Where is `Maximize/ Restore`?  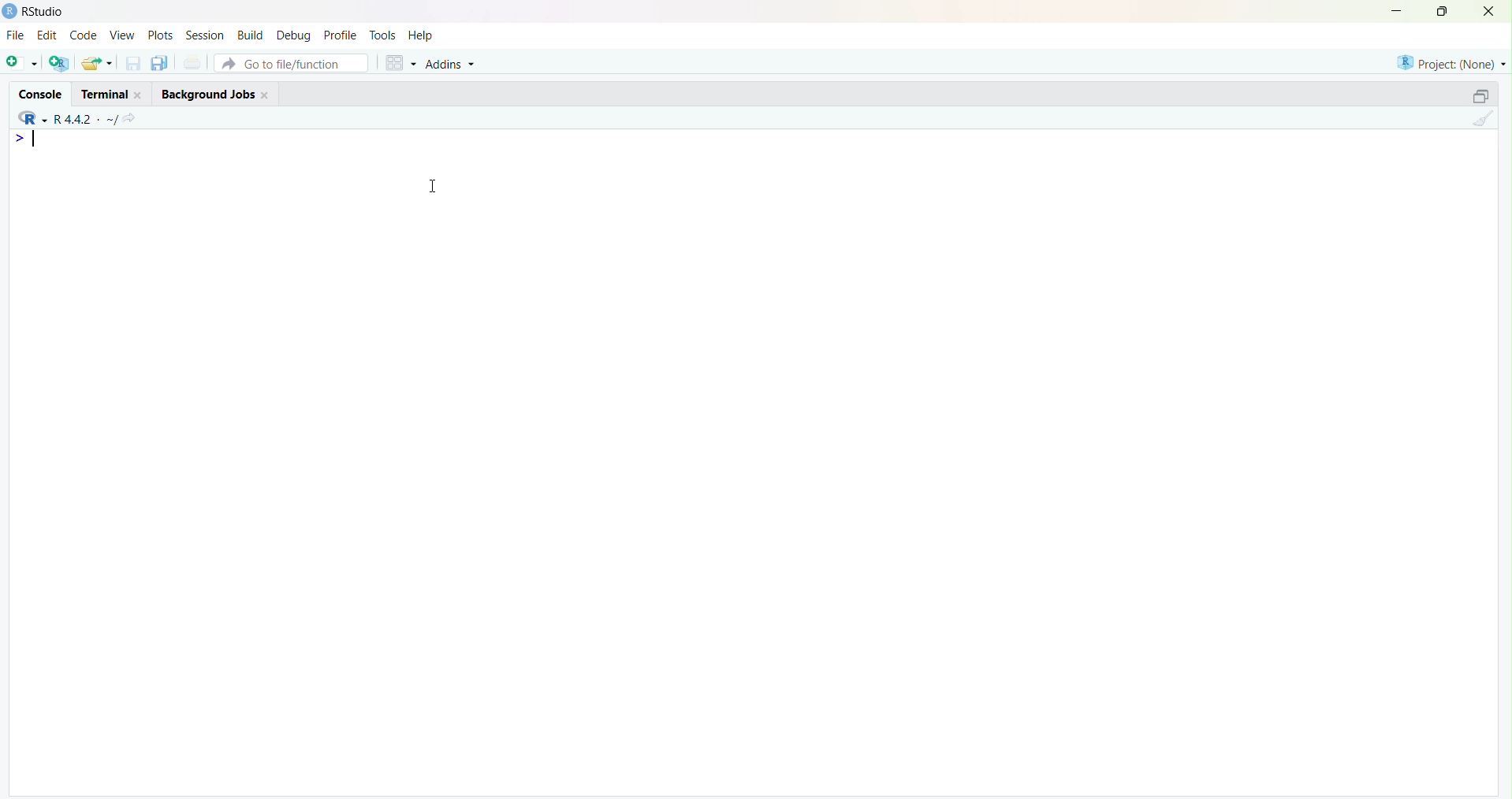
Maximize/ Restore is located at coordinates (1478, 95).